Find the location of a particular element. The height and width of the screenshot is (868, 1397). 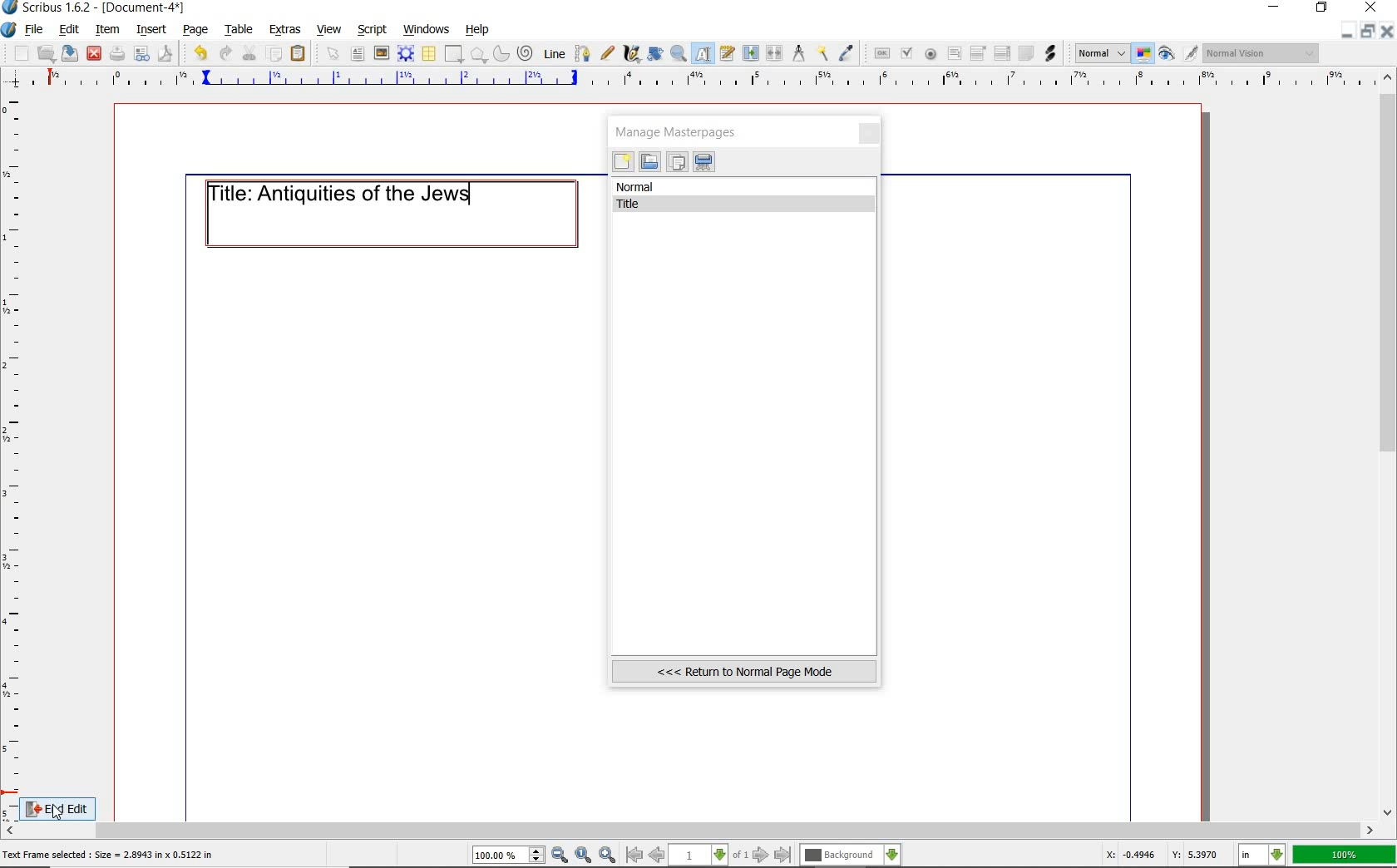

script is located at coordinates (373, 28).